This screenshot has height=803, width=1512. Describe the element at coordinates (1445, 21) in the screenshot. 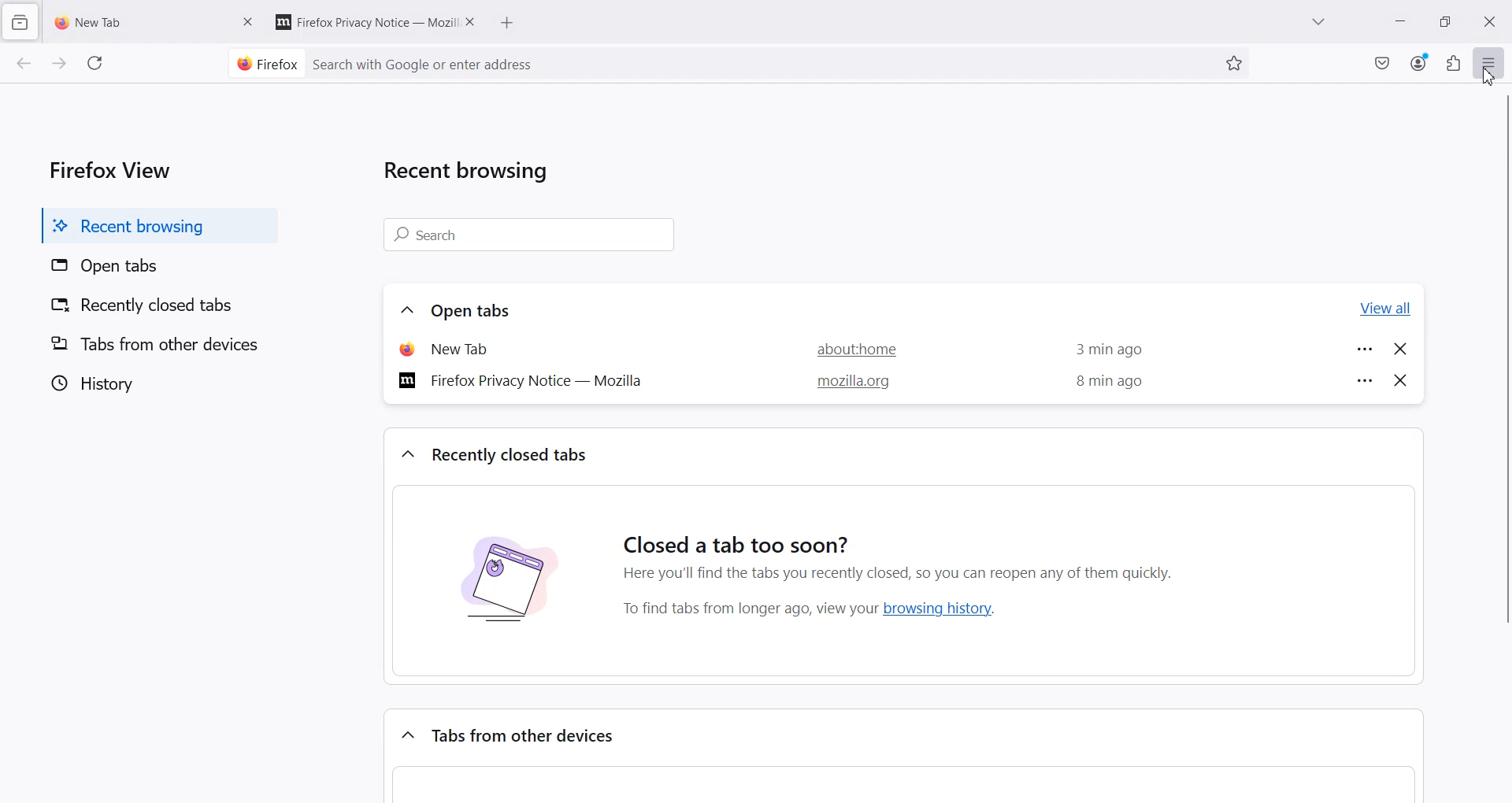

I see `Maximize` at that location.